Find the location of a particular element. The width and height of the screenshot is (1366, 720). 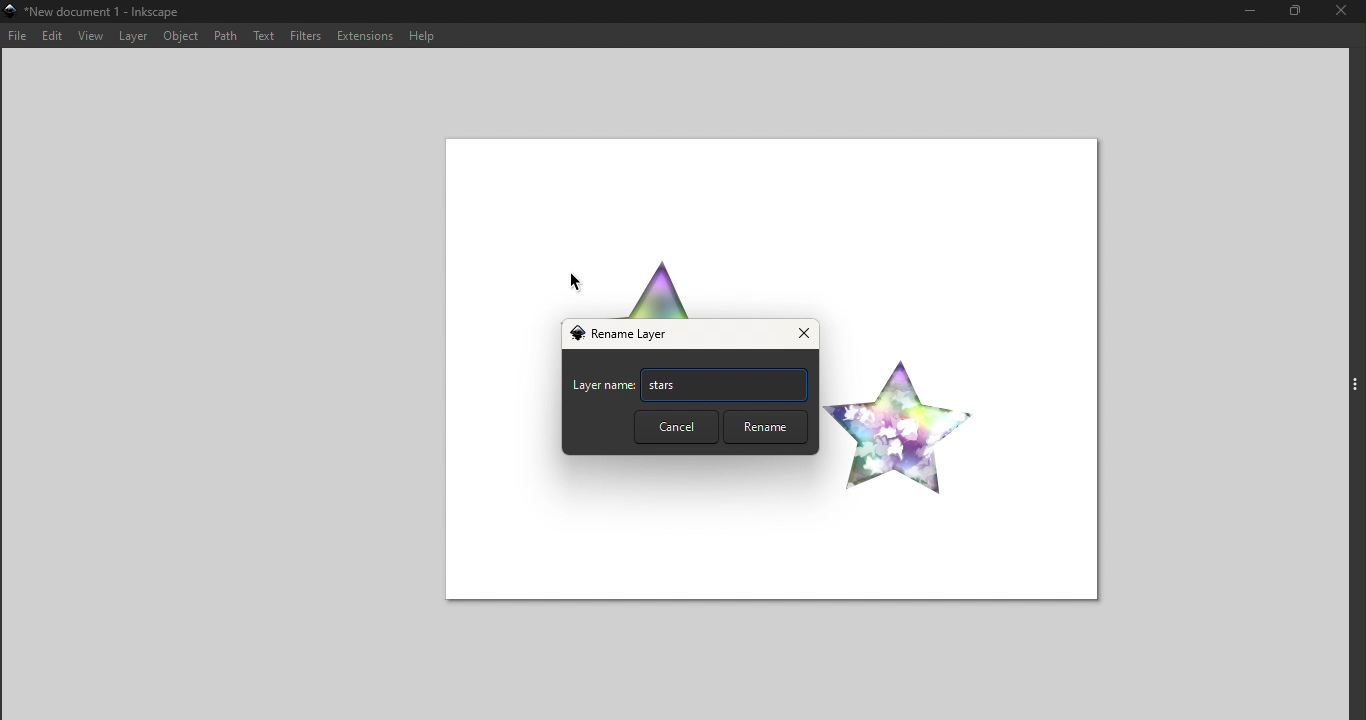

Rename layer is located at coordinates (627, 335).